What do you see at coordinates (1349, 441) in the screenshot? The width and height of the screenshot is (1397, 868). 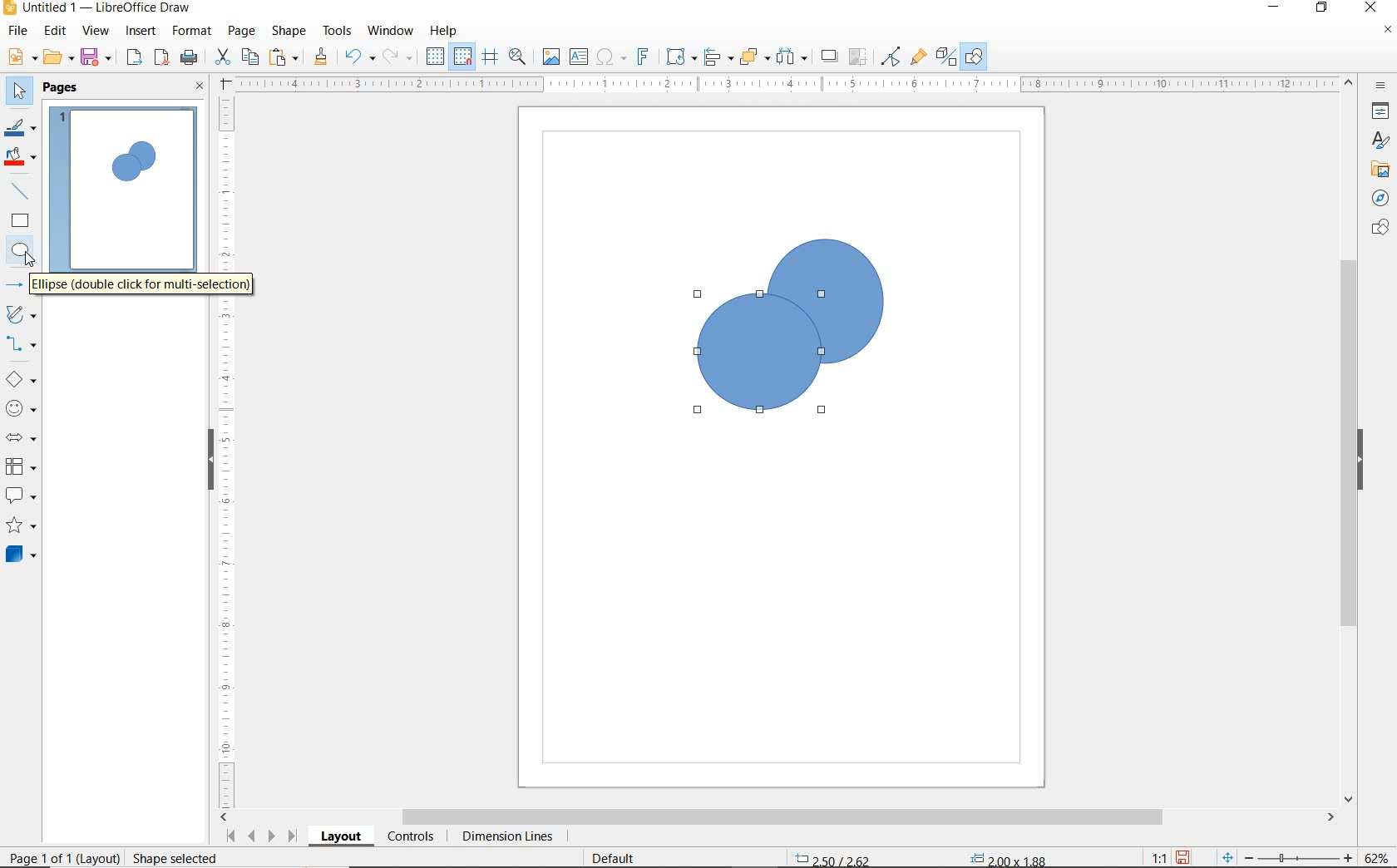 I see `SCROLLBAR` at bounding box center [1349, 441].